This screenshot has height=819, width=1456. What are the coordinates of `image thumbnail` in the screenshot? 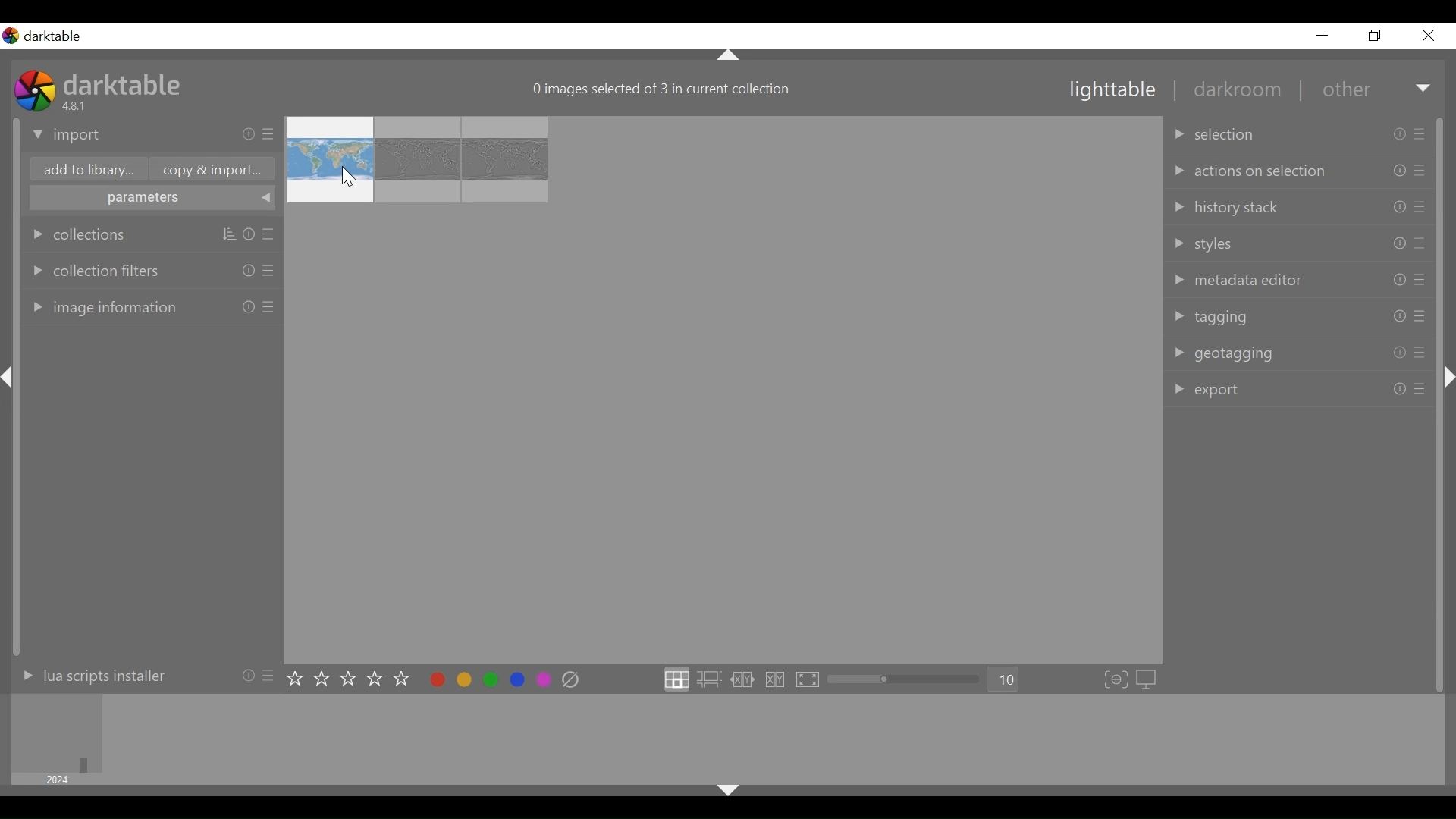 It's located at (721, 387).